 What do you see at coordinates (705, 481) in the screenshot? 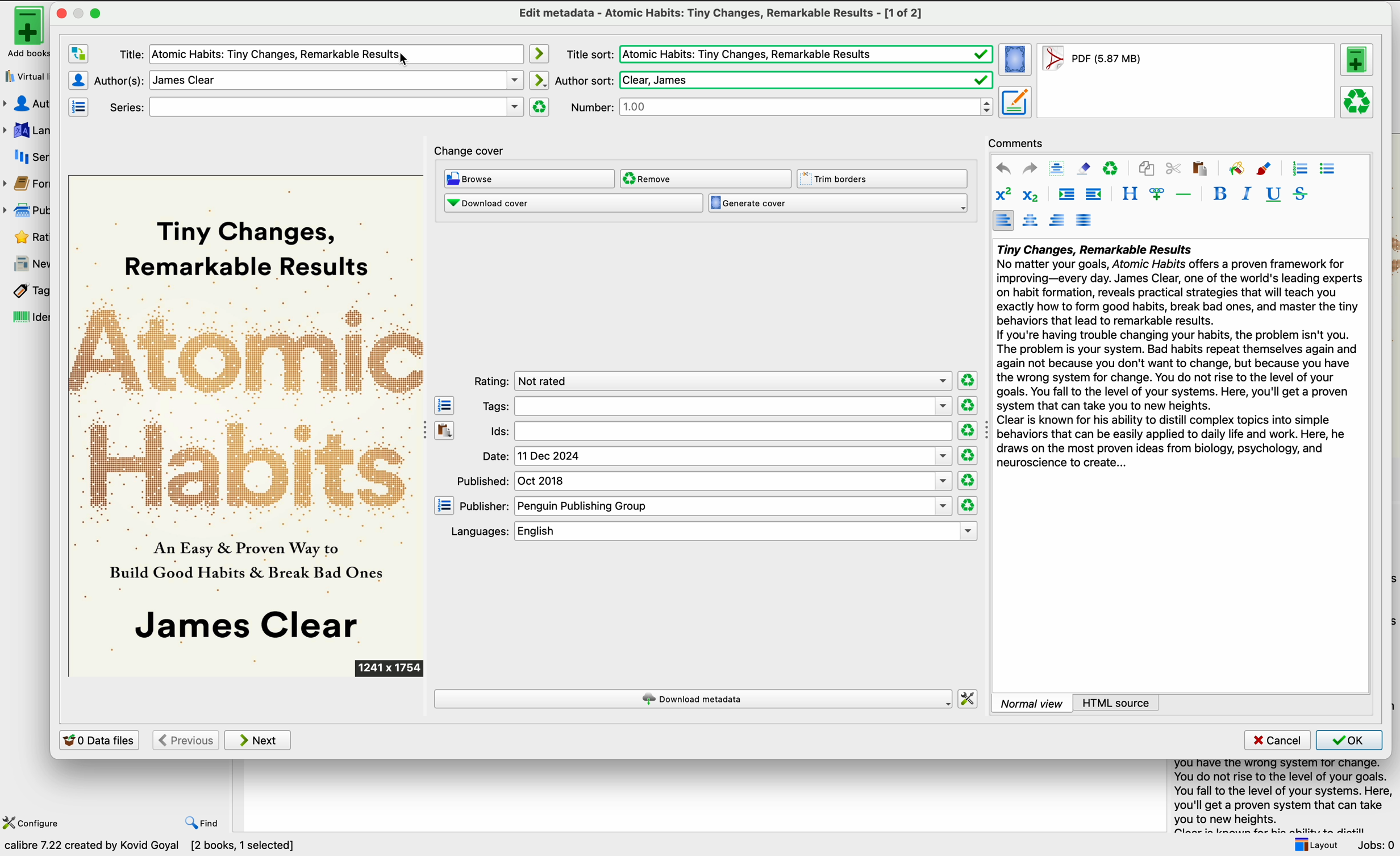
I see `published` at bounding box center [705, 481].